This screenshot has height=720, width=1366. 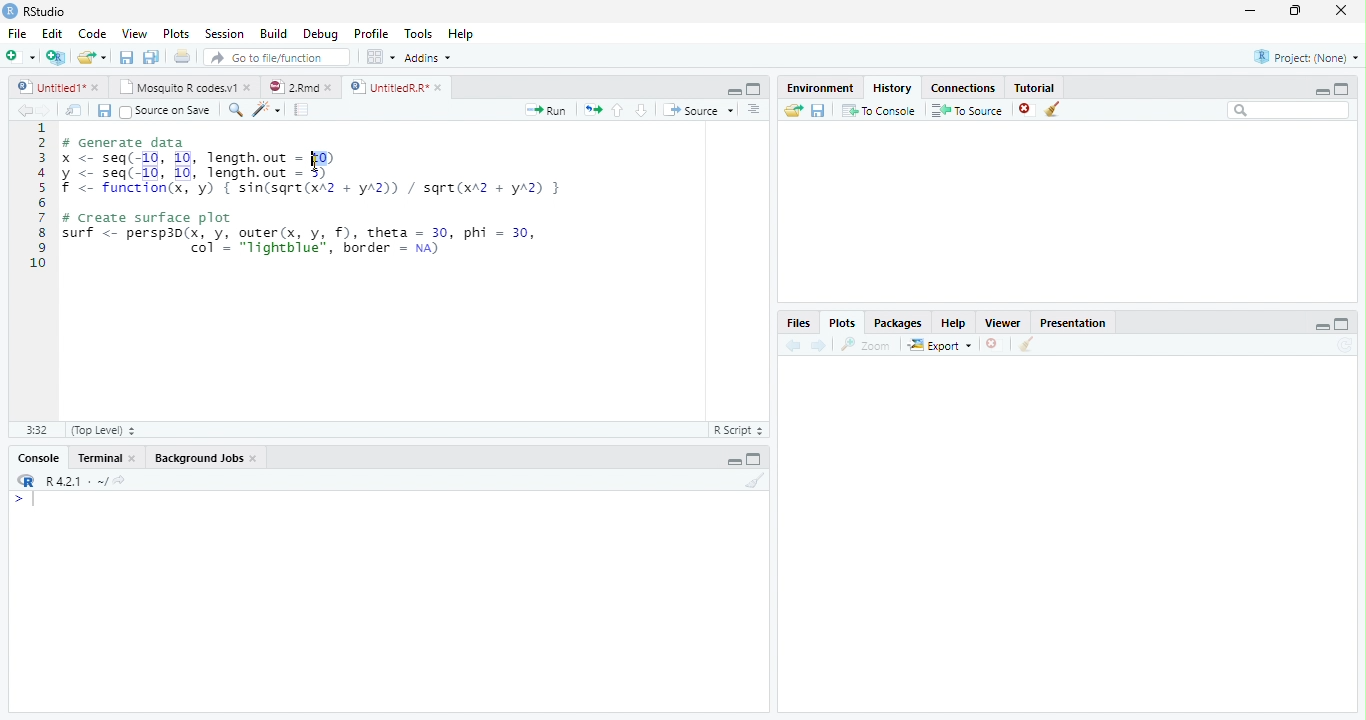 I want to click on View, so click(x=134, y=33).